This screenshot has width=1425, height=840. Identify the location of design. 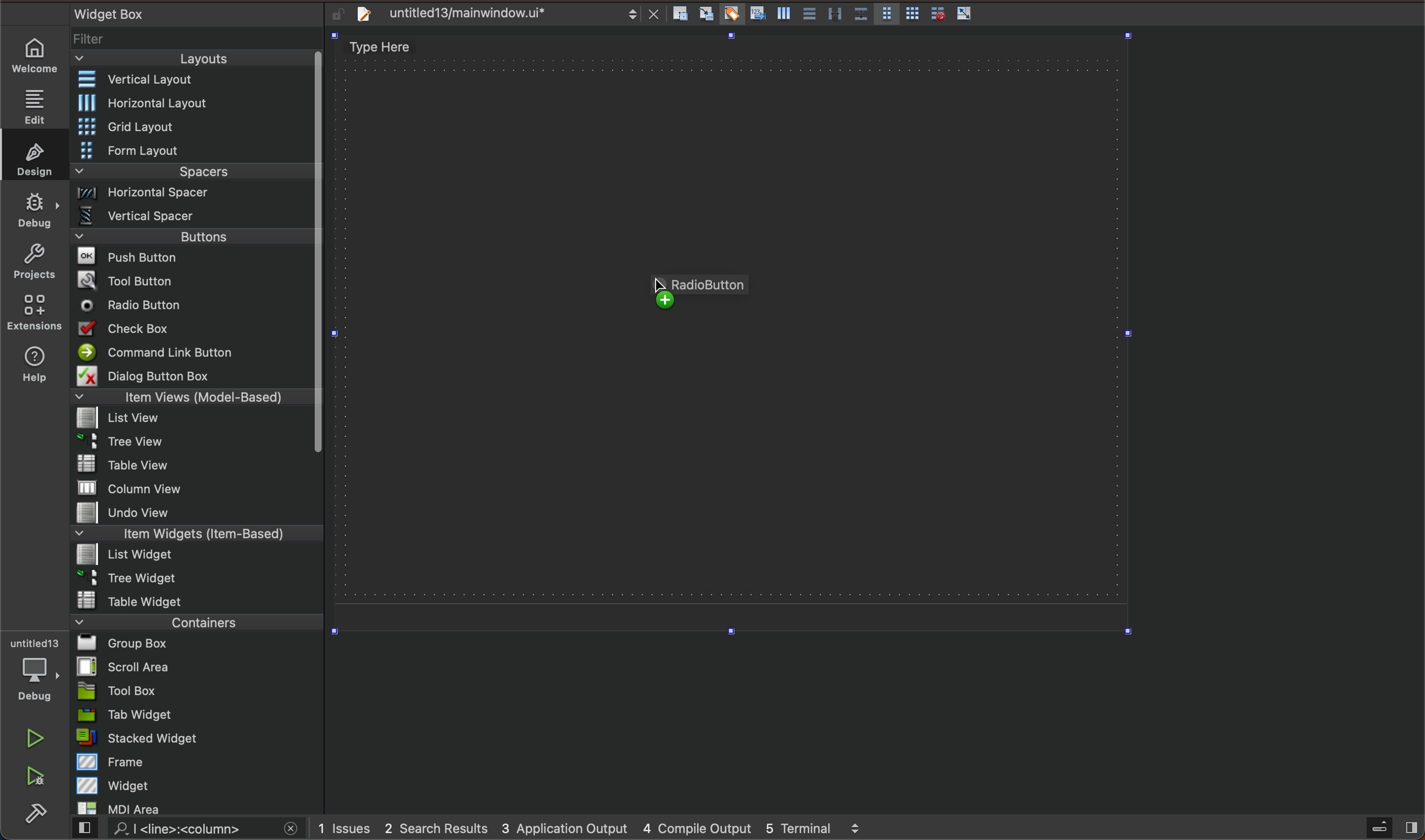
(31, 155).